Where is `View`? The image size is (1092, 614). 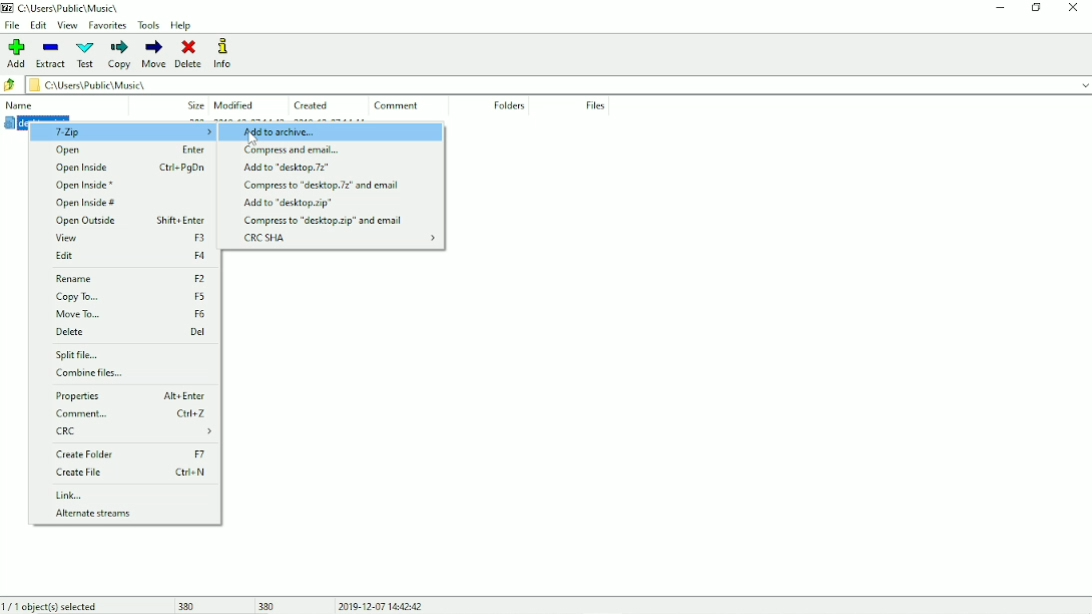 View is located at coordinates (130, 239).